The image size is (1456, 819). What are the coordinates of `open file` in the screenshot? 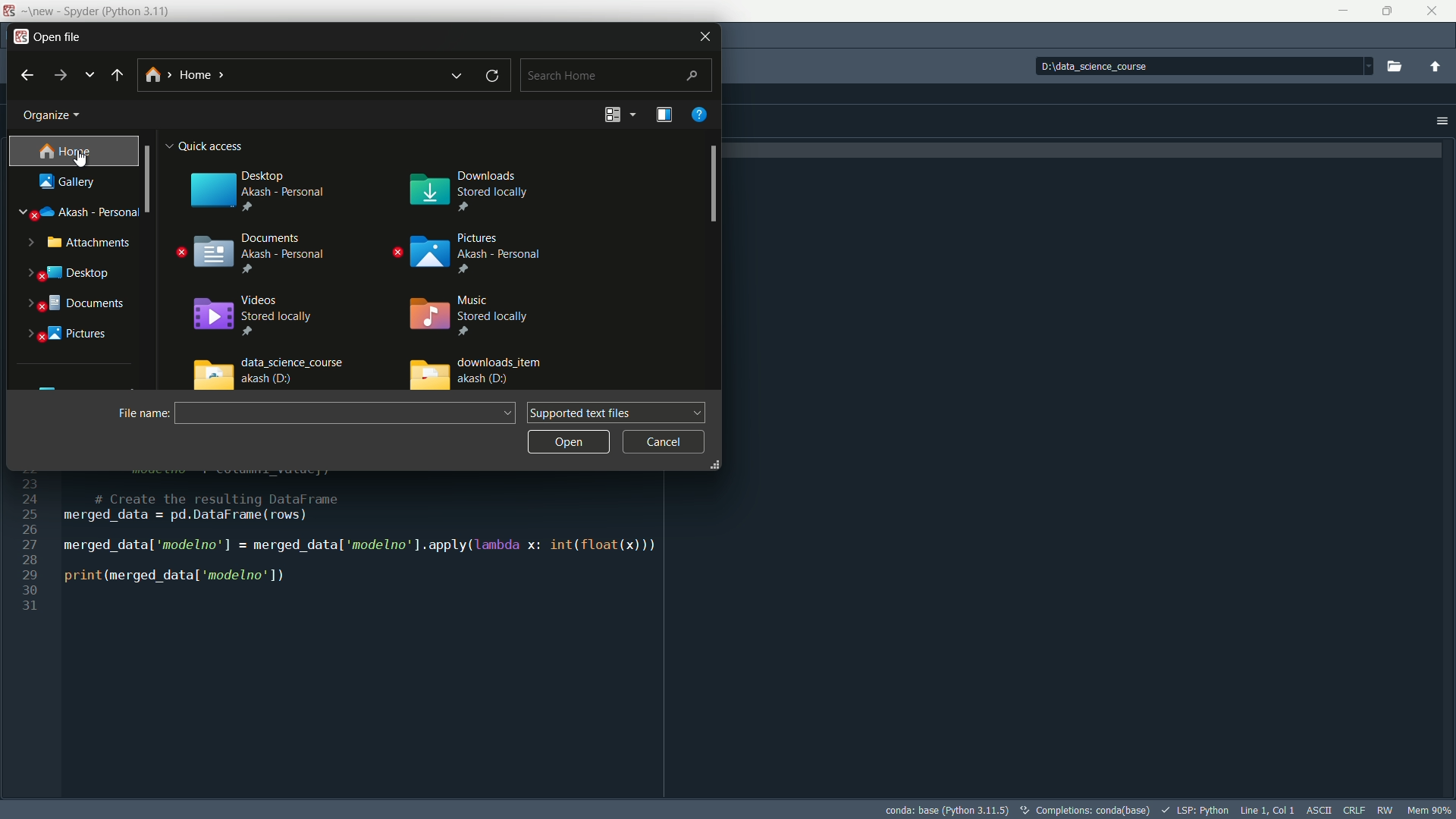 It's located at (58, 36).